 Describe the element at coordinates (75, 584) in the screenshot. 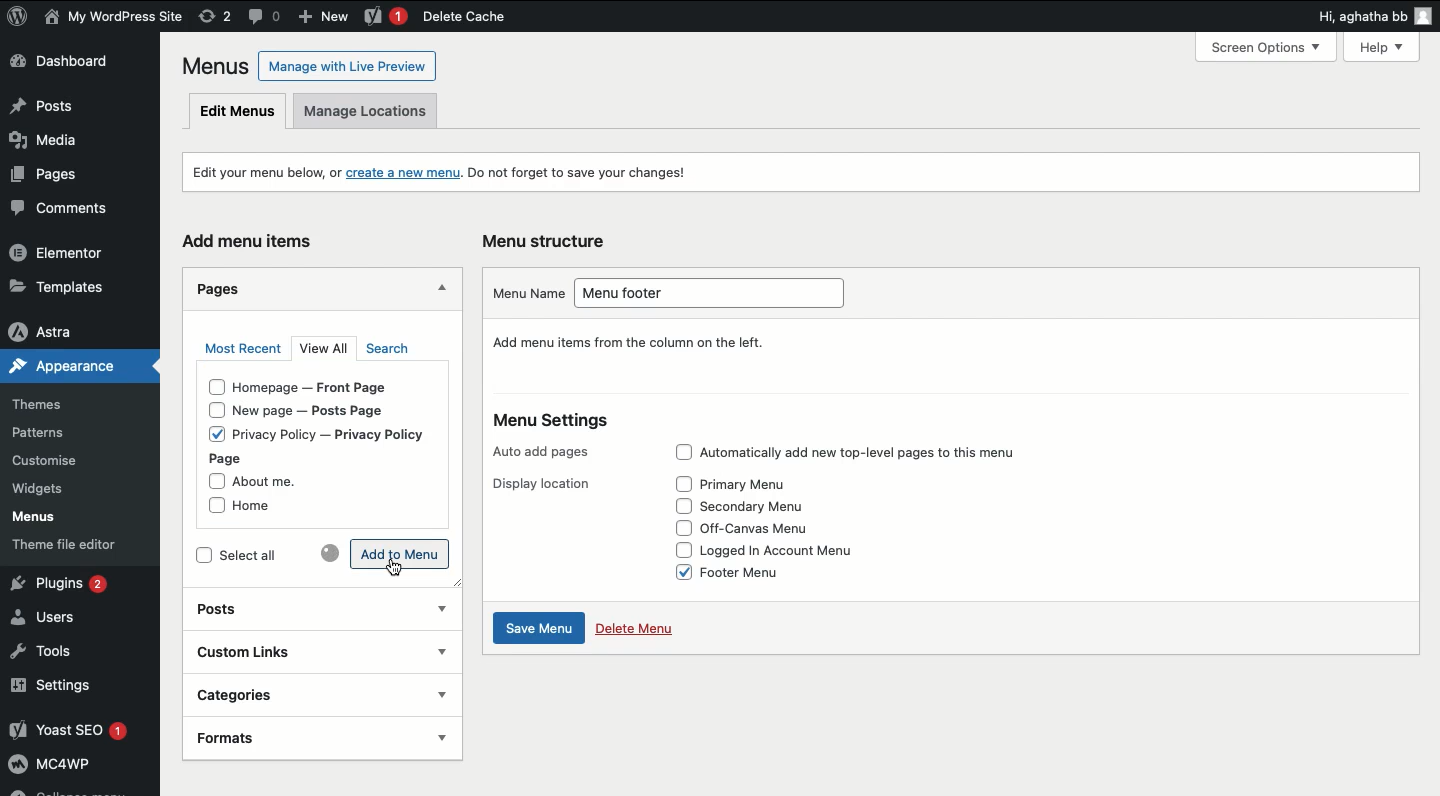

I see `Plugins 2` at that location.